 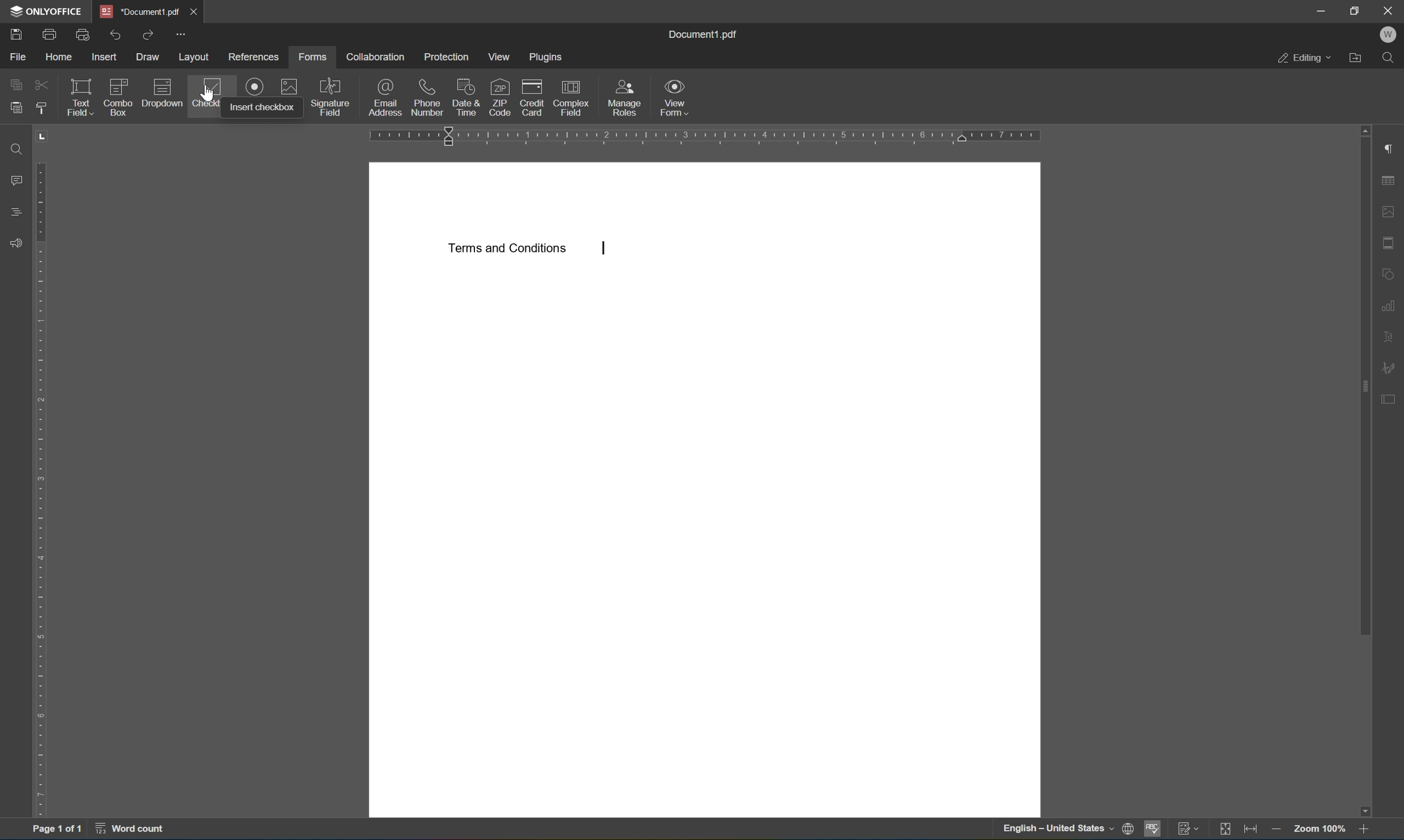 I want to click on view, so click(x=500, y=57).